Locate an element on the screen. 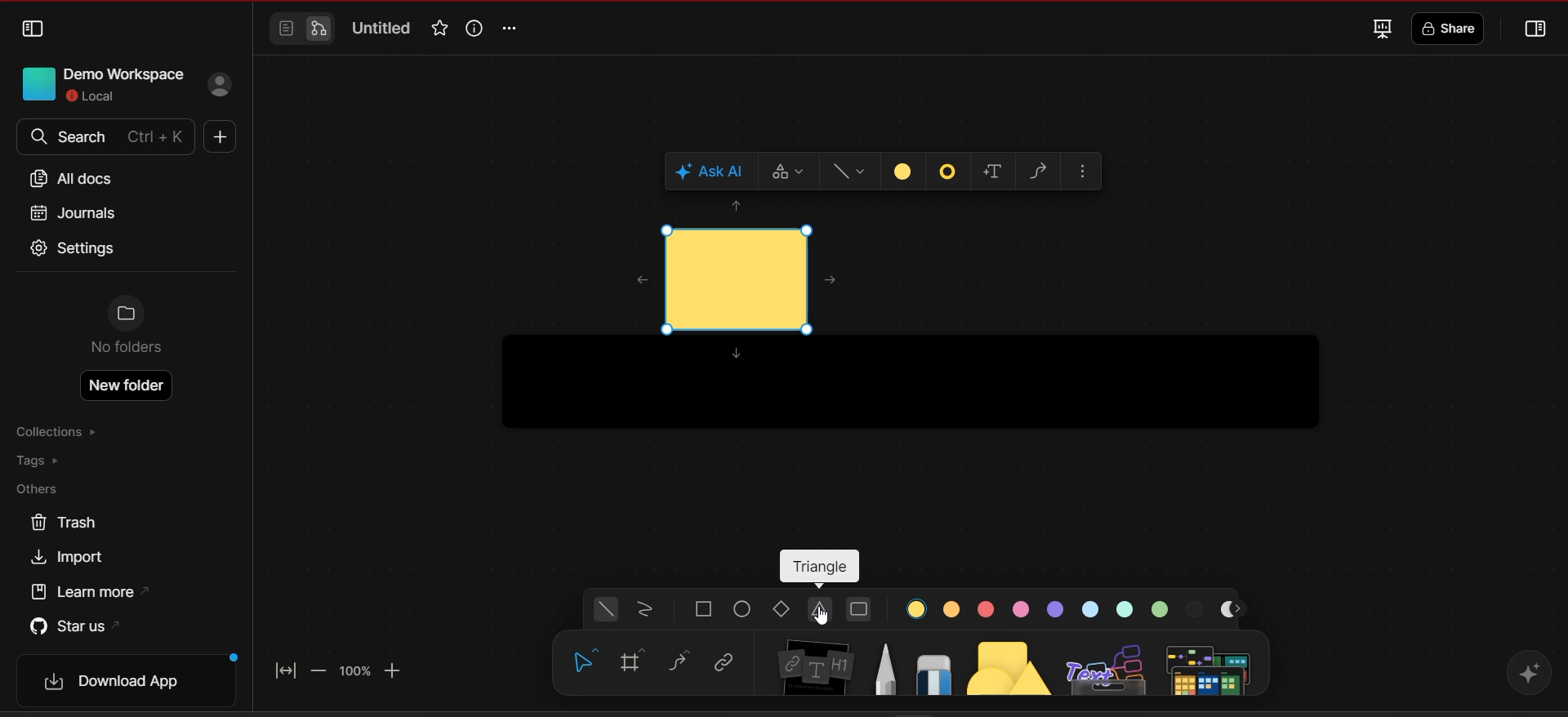  move right is located at coordinates (832, 281).